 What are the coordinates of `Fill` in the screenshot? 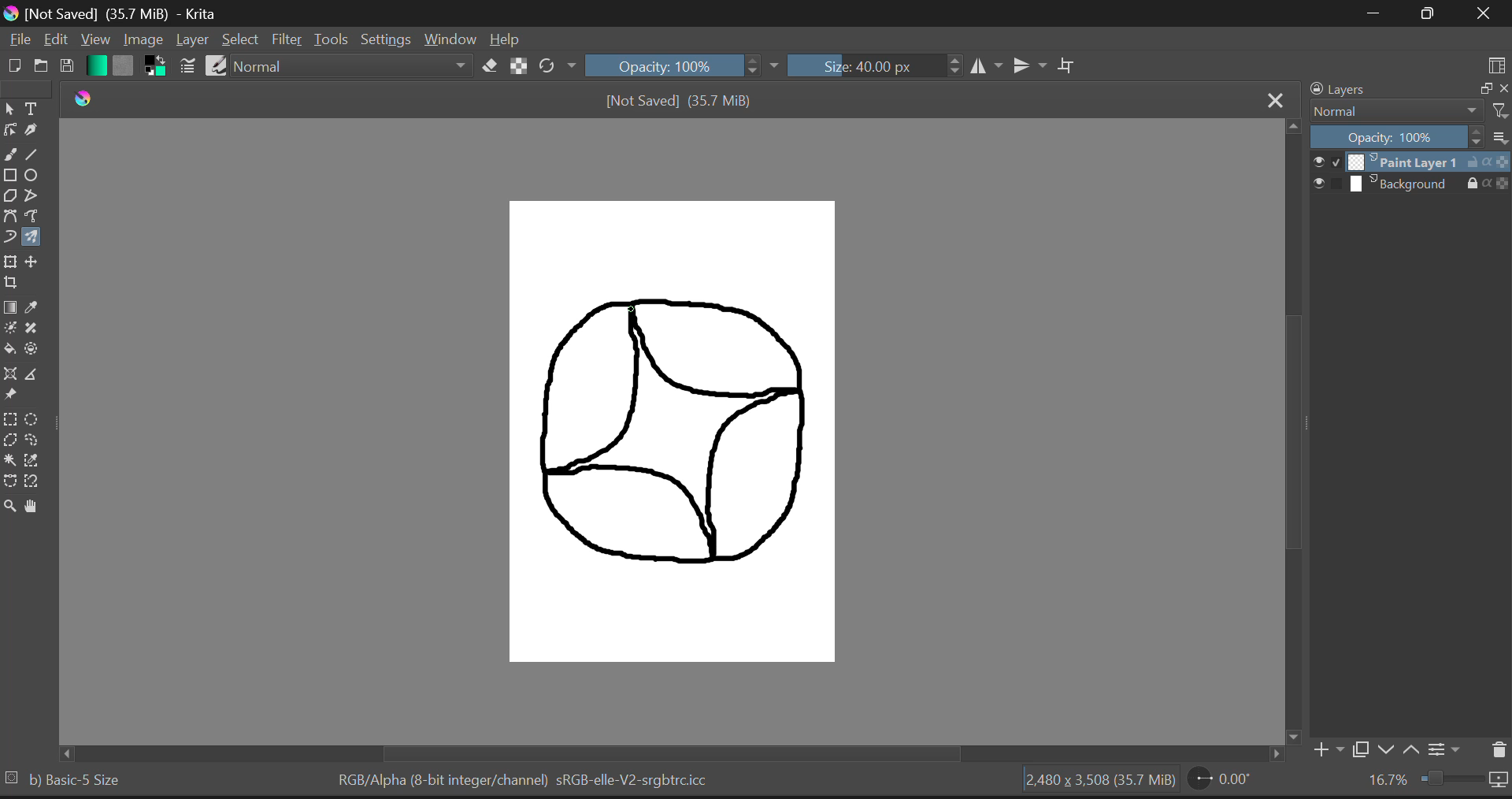 It's located at (9, 347).